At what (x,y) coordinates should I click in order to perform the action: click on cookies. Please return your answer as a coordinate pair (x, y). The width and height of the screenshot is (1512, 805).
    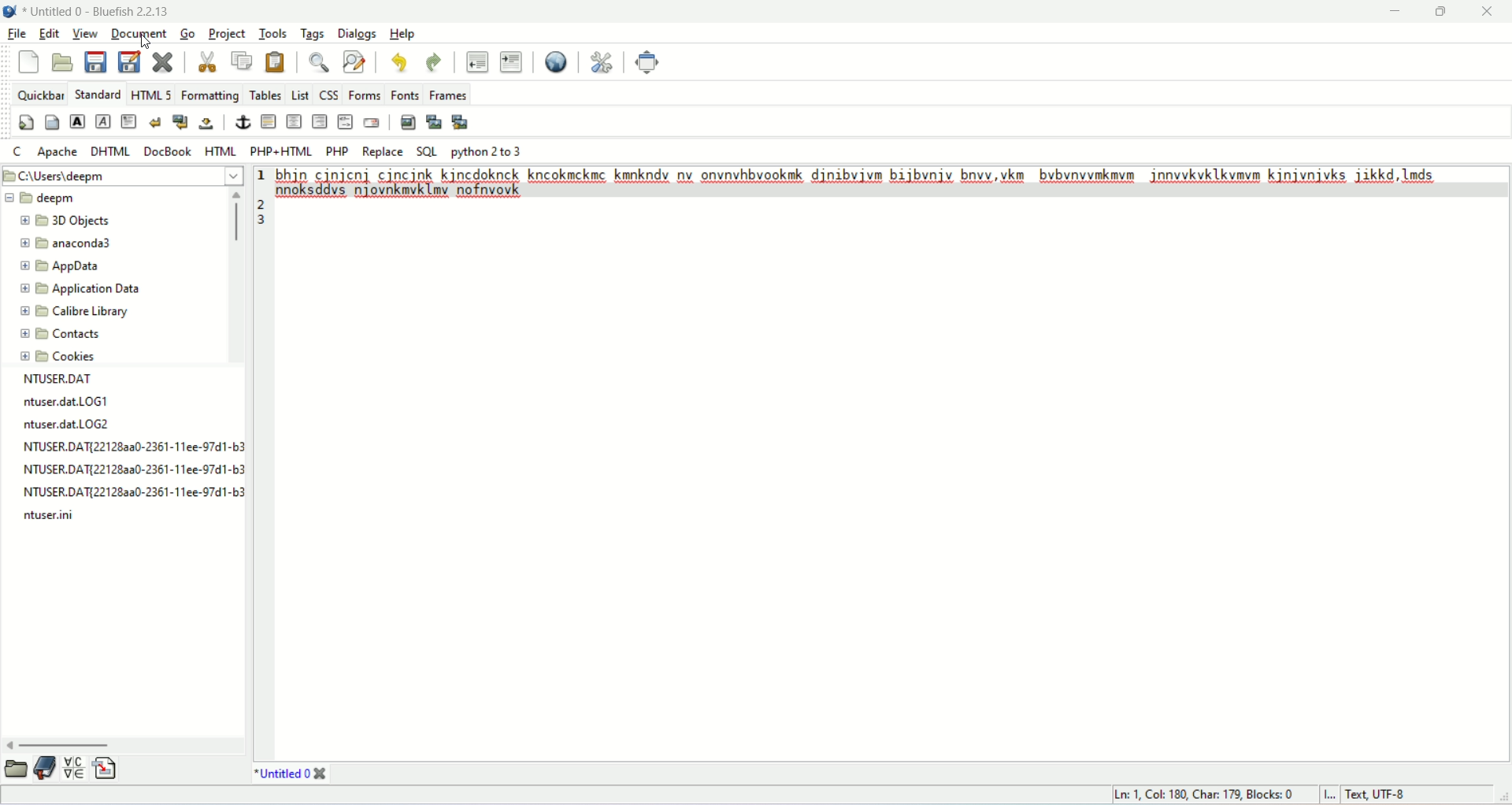
    Looking at the image, I should click on (61, 357).